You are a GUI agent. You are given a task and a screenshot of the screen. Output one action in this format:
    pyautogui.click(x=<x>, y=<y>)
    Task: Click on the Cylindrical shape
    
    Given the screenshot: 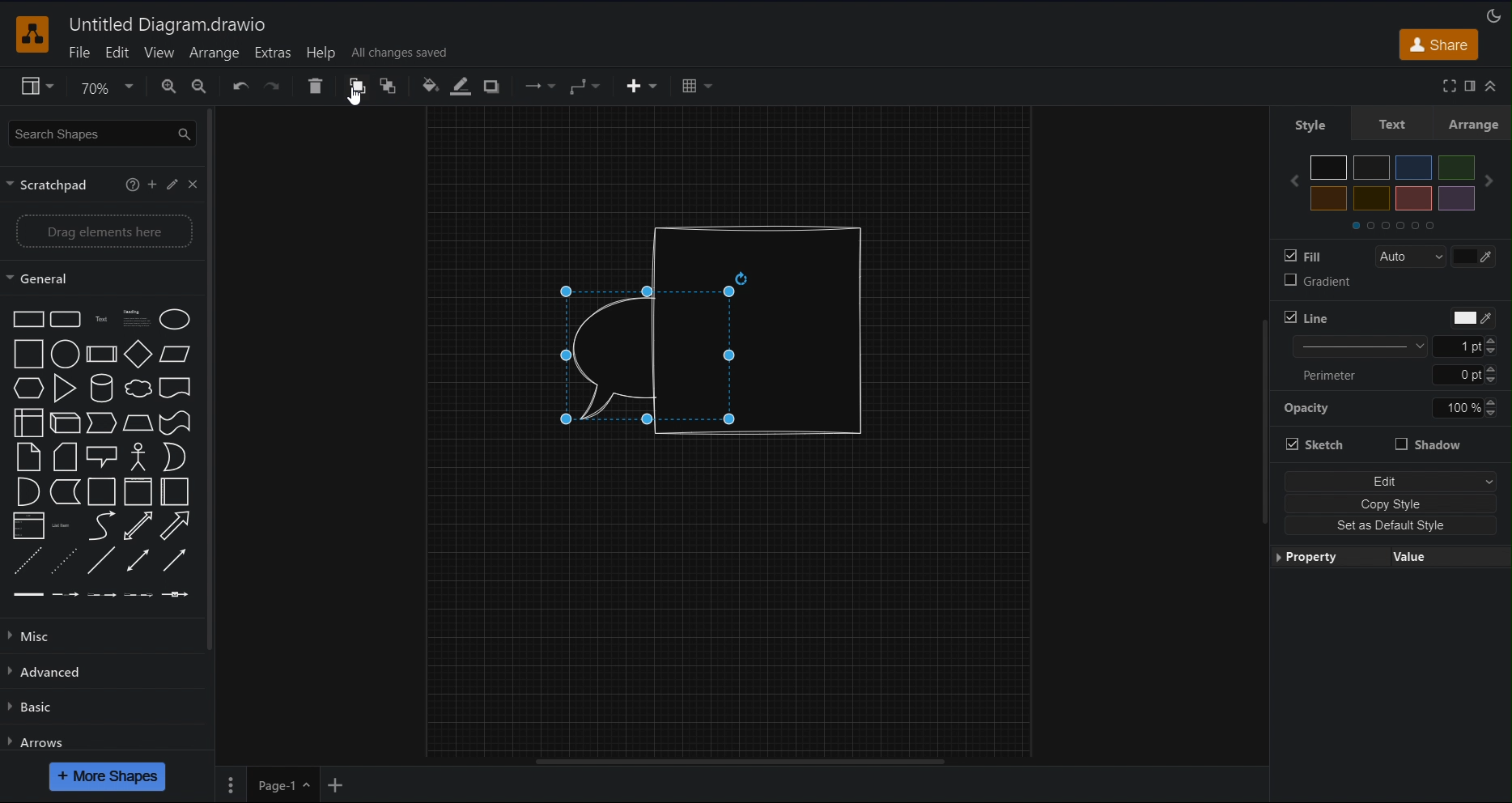 What is the action you would take?
    pyautogui.click(x=758, y=330)
    